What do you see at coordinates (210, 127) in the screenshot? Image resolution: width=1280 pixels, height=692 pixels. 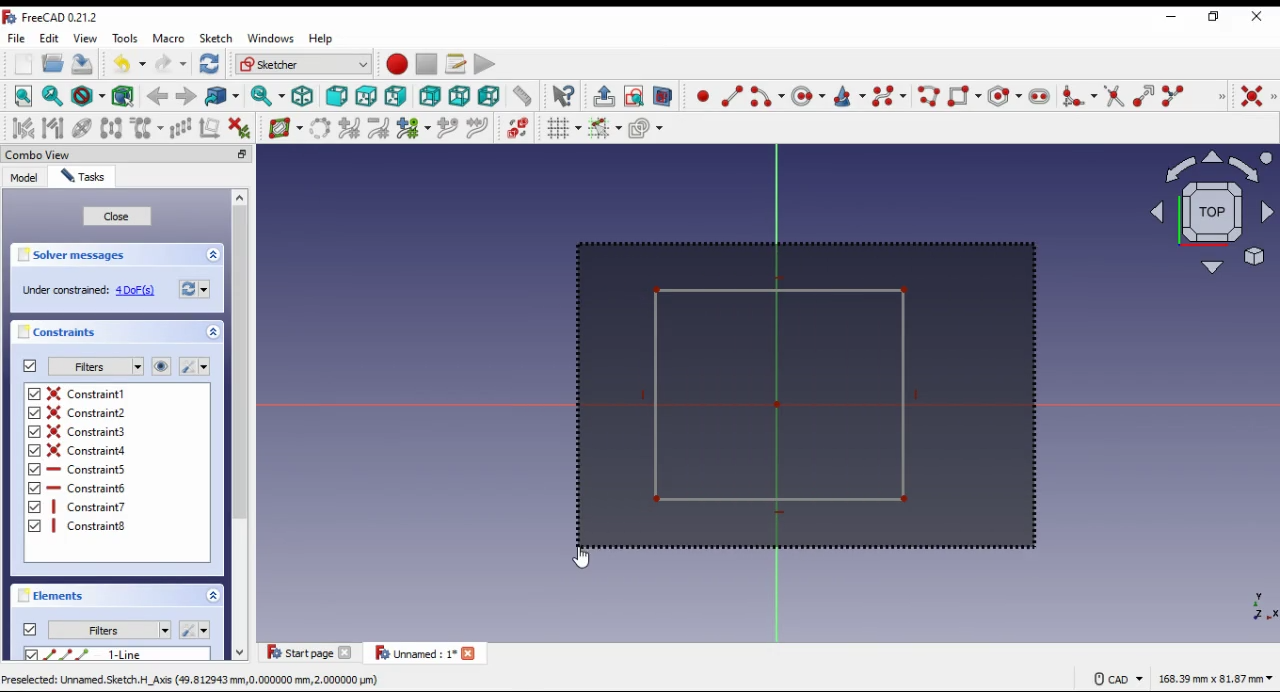 I see `remove all axes alignment` at bounding box center [210, 127].